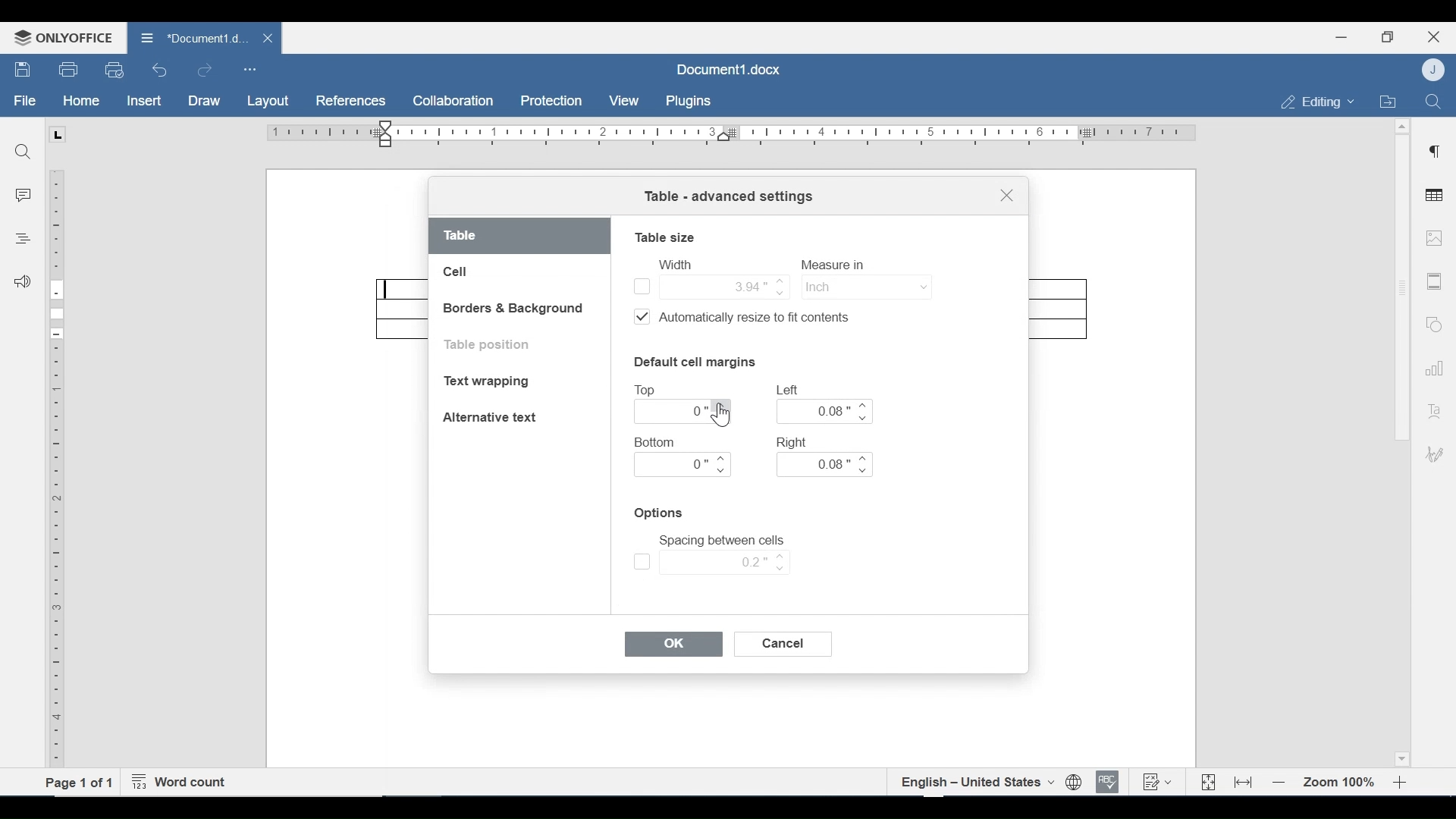 The image size is (1456, 819). What do you see at coordinates (1432, 408) in the screenshot?
I see `Text Art` at bounding box center [1432, 408].